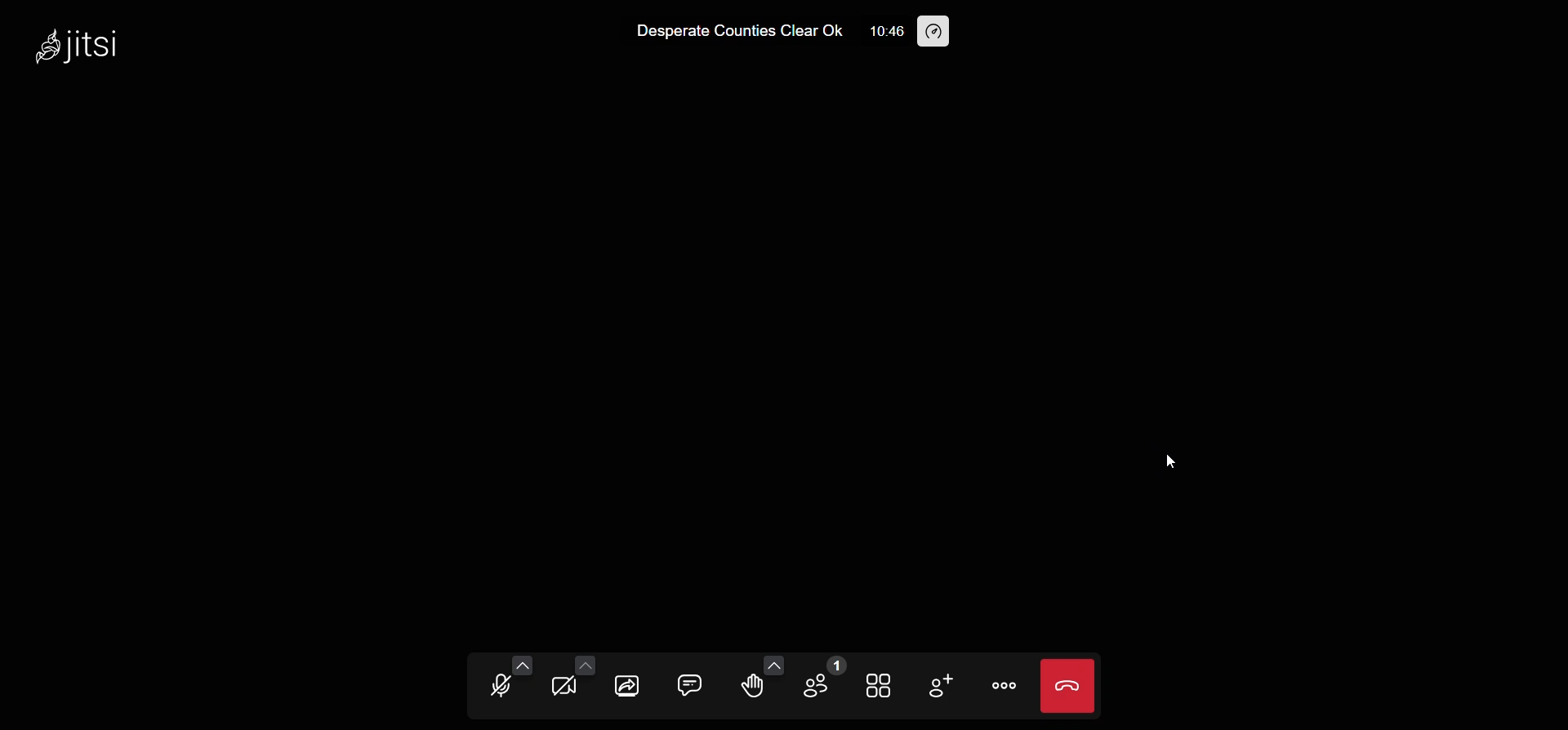  What do you see at coordinates (1001, 688) in the screenshot?
I see `more` at bounding box center [1001, 688].